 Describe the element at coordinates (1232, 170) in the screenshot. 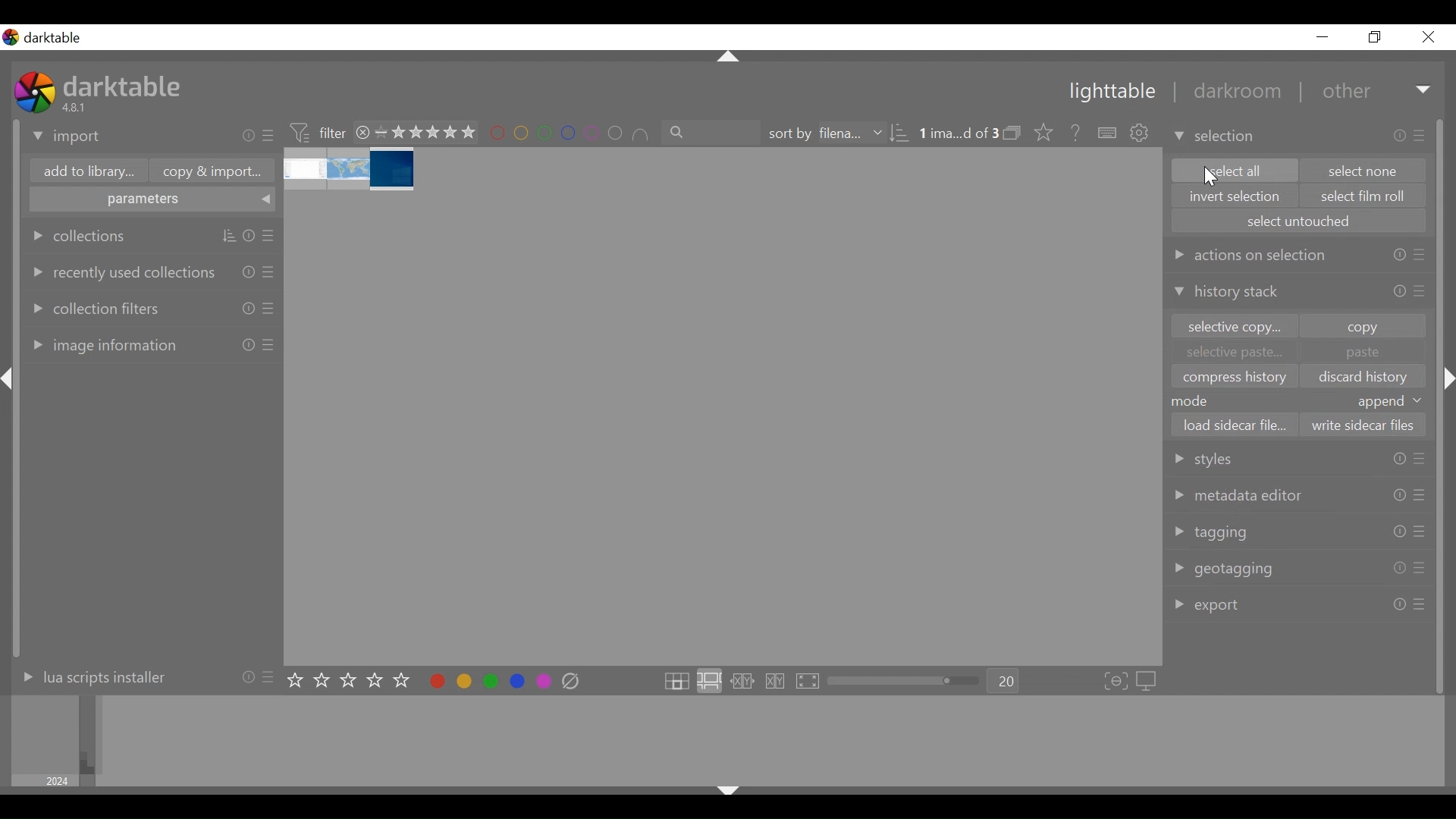

I see `select all` at that location.